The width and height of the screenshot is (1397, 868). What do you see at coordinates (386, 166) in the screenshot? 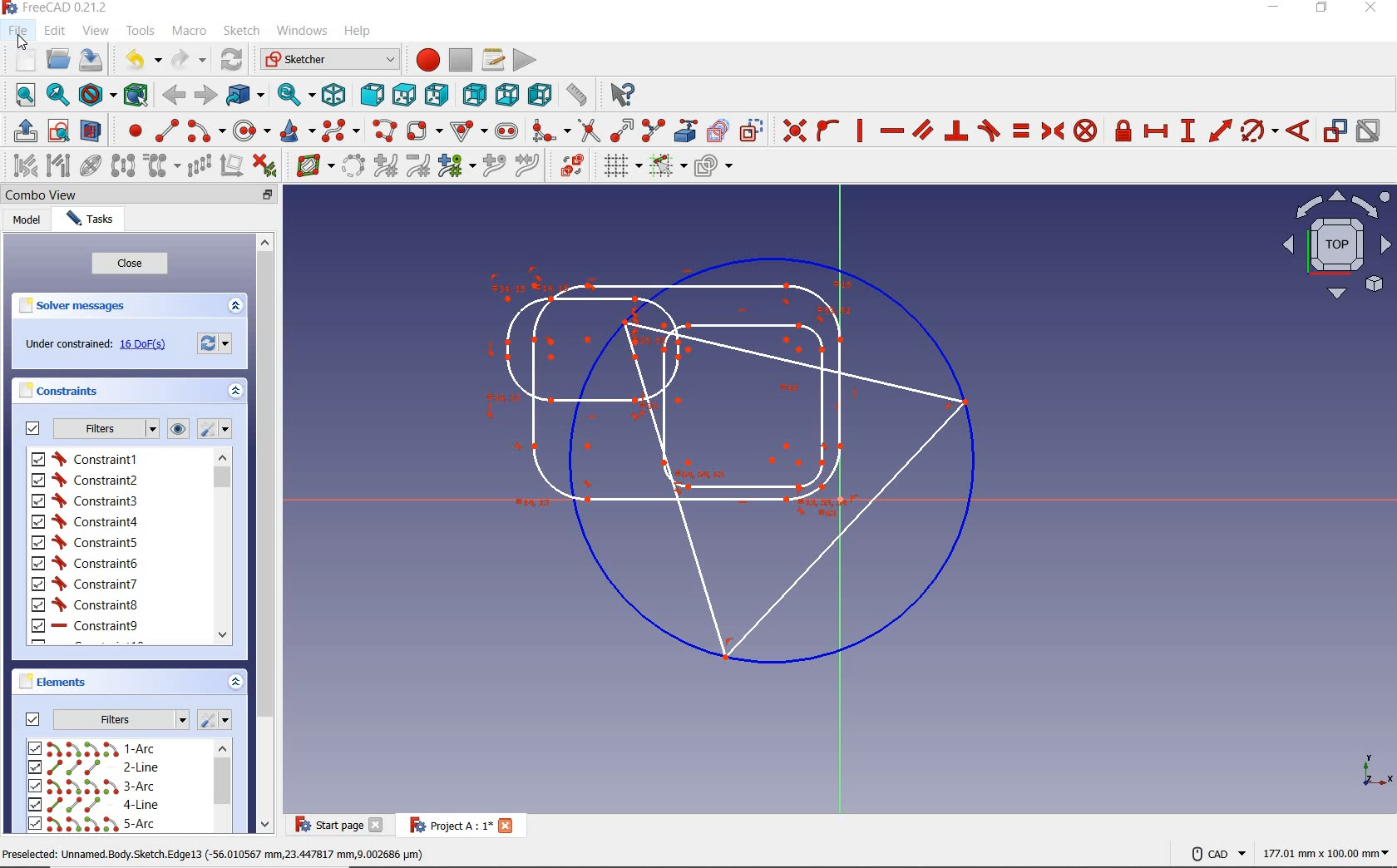
I see `increase B-spline decrease` at bounding box center [386, 166].